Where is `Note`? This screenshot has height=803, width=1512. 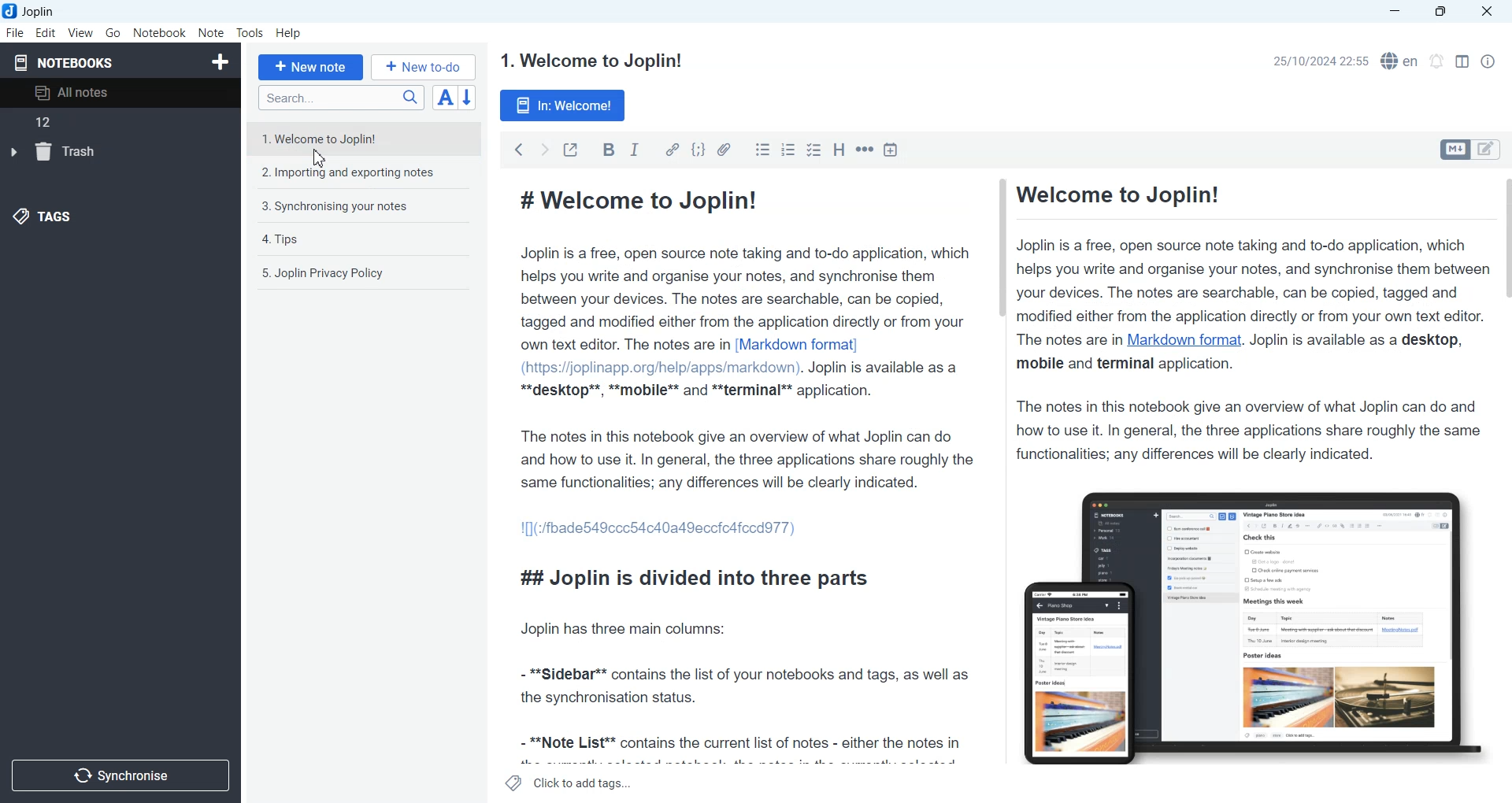
Note is located at coordinates (210, 33).